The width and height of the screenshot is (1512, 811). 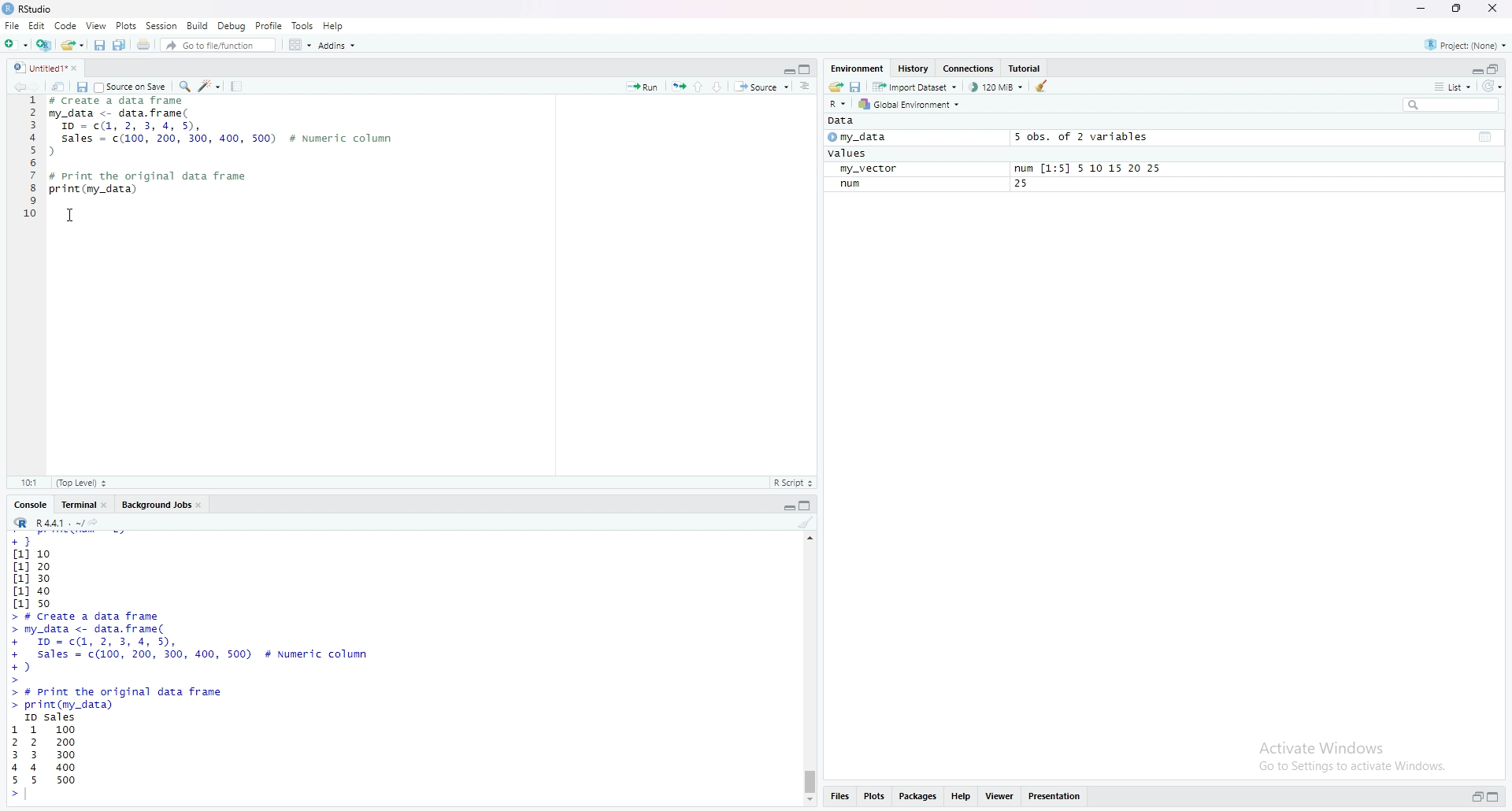 I want to click on Build, so click(x=198, y=25).